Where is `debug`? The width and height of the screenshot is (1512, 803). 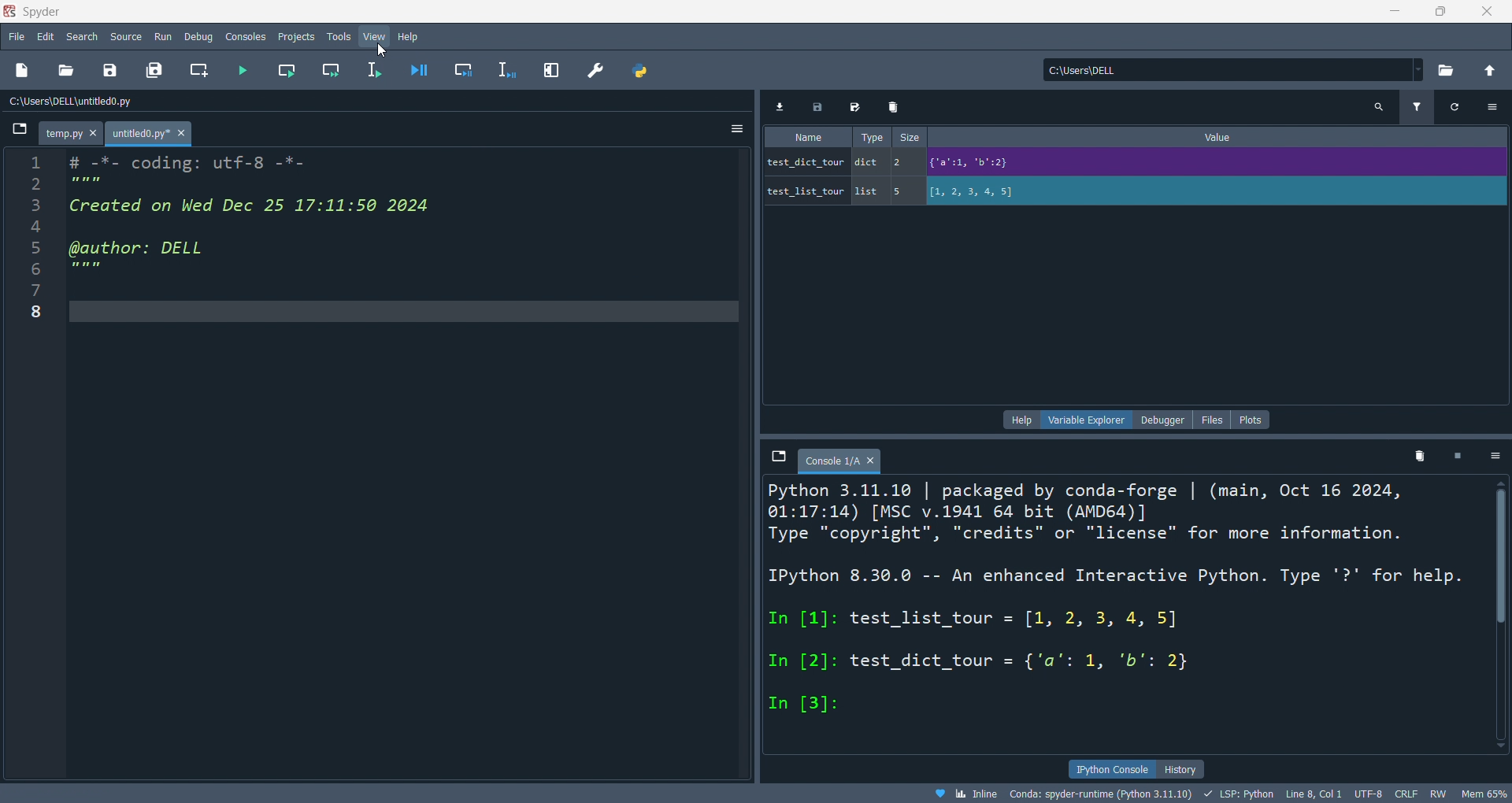 debug is located at coordinates (193, 37).